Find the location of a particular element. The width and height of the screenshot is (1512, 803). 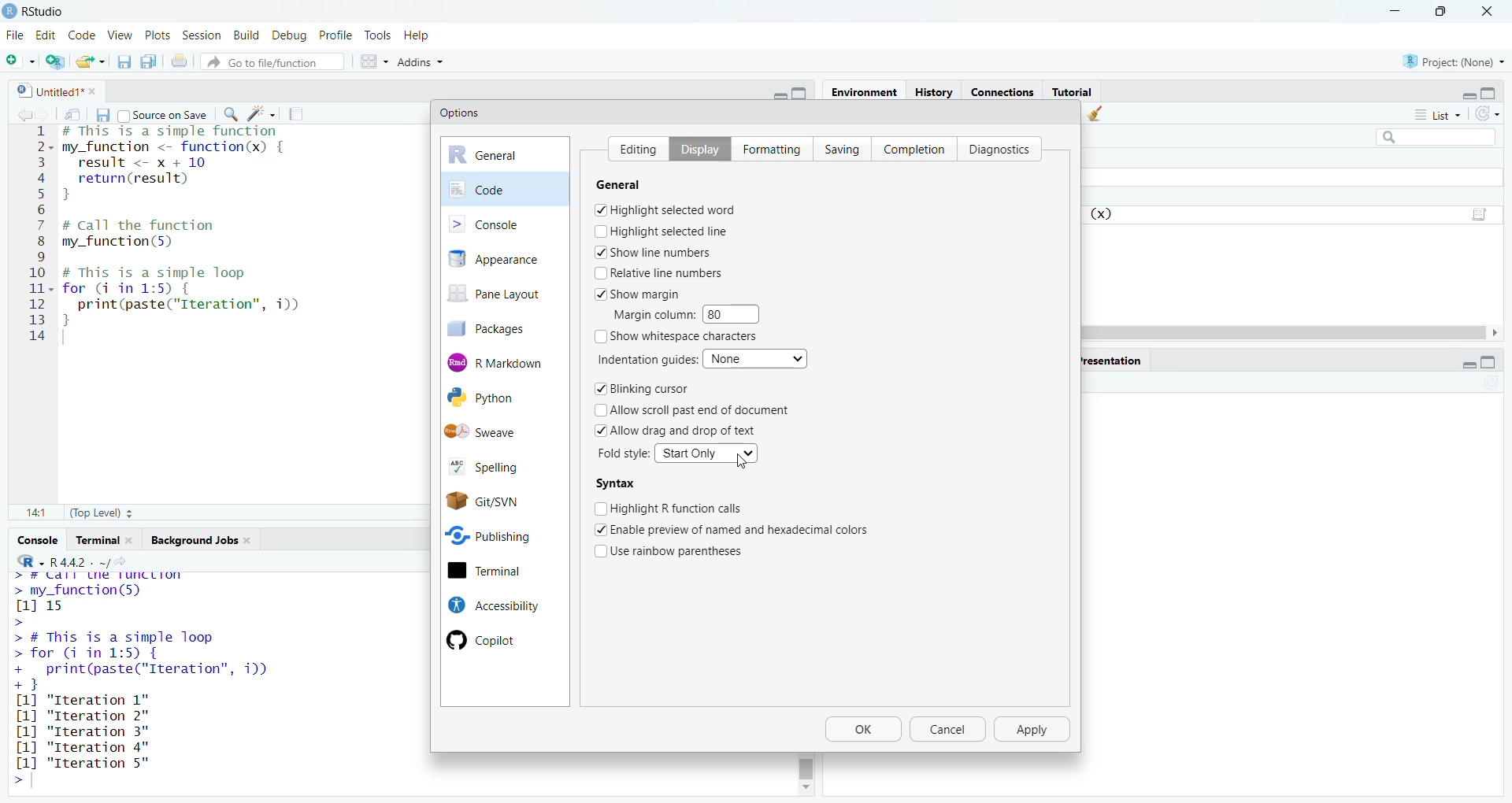

save all open documents is located at coordinates (149, 61).